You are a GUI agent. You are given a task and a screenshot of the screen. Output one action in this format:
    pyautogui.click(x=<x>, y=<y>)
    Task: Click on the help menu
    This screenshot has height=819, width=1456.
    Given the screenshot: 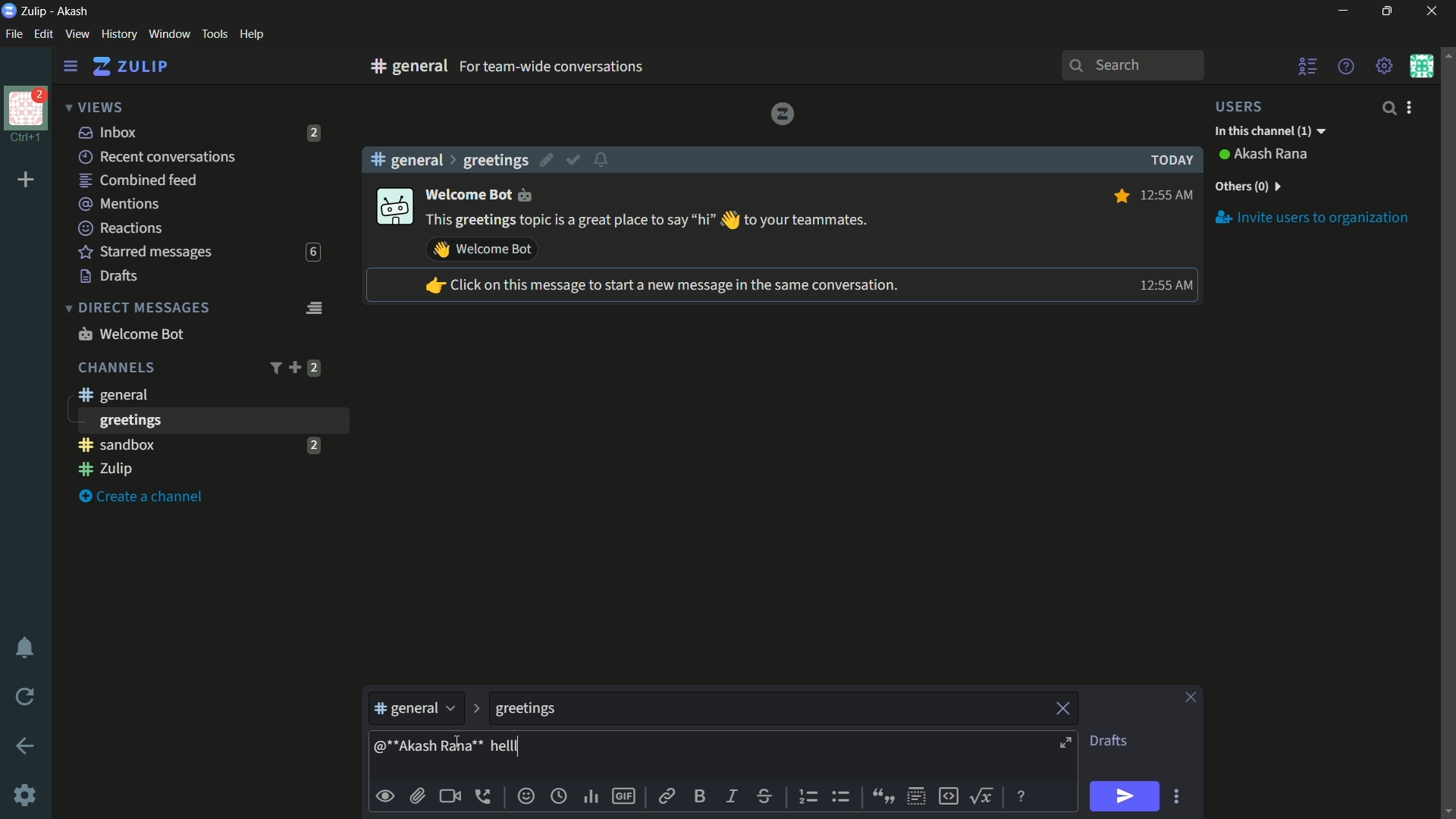 What is the action you would take?
    pyautogui.click(x=251, y=35)
    